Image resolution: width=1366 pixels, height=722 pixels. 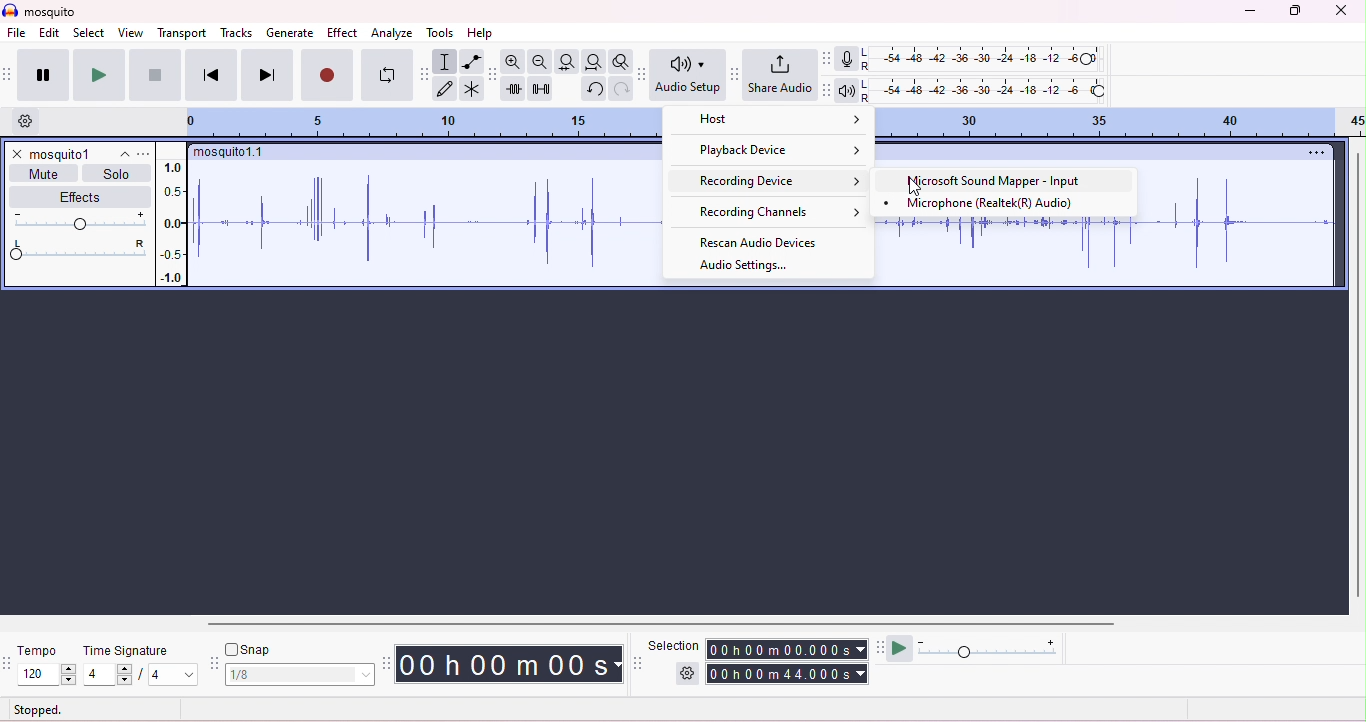 What do you see at coordinates (46, 173) in the screenshot?
I see `mute` at bounding box center [46, 173].